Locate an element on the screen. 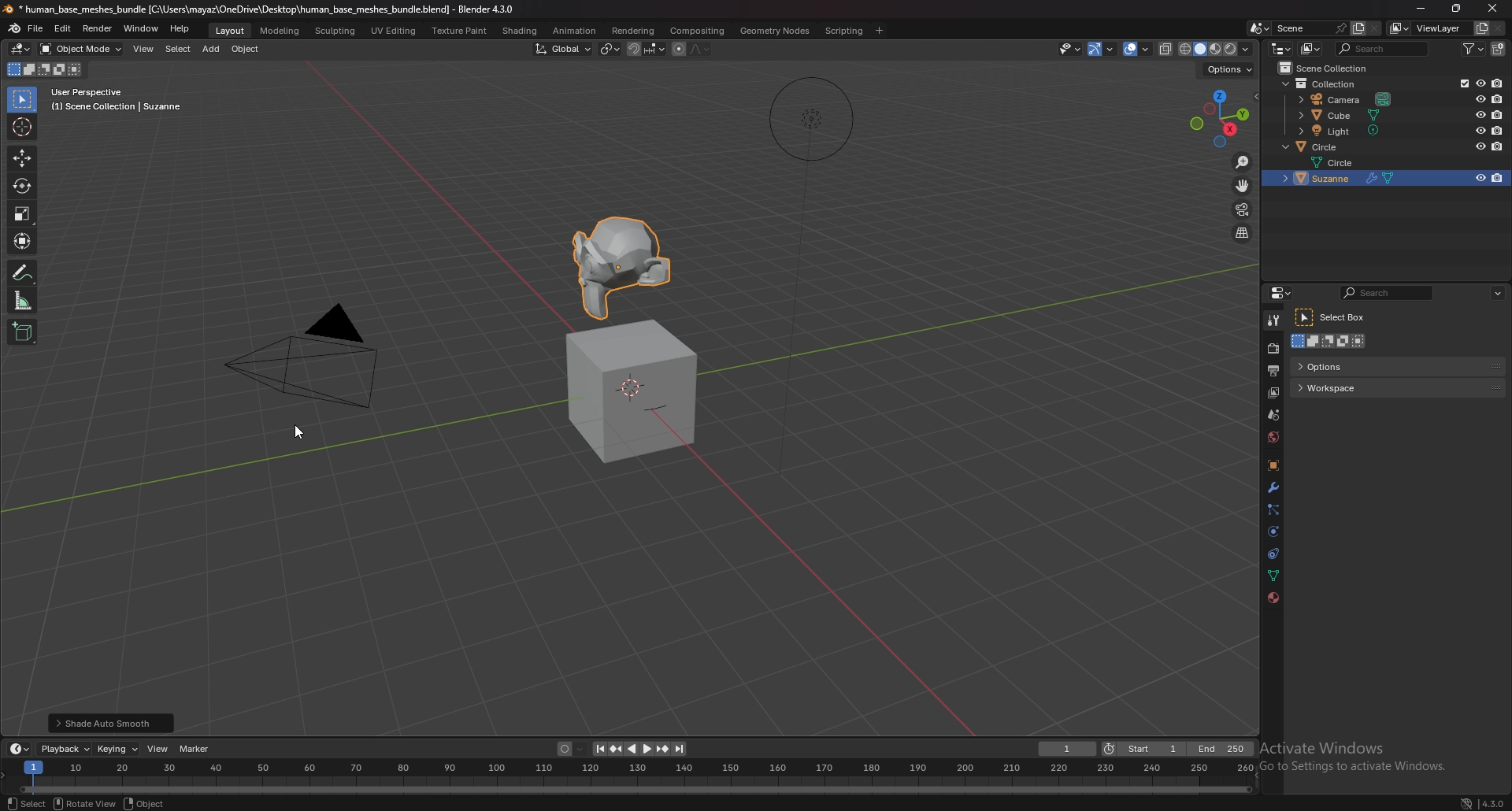 This screenshot has height=811, width=1512. rendering is located at coordinates (634, 31).